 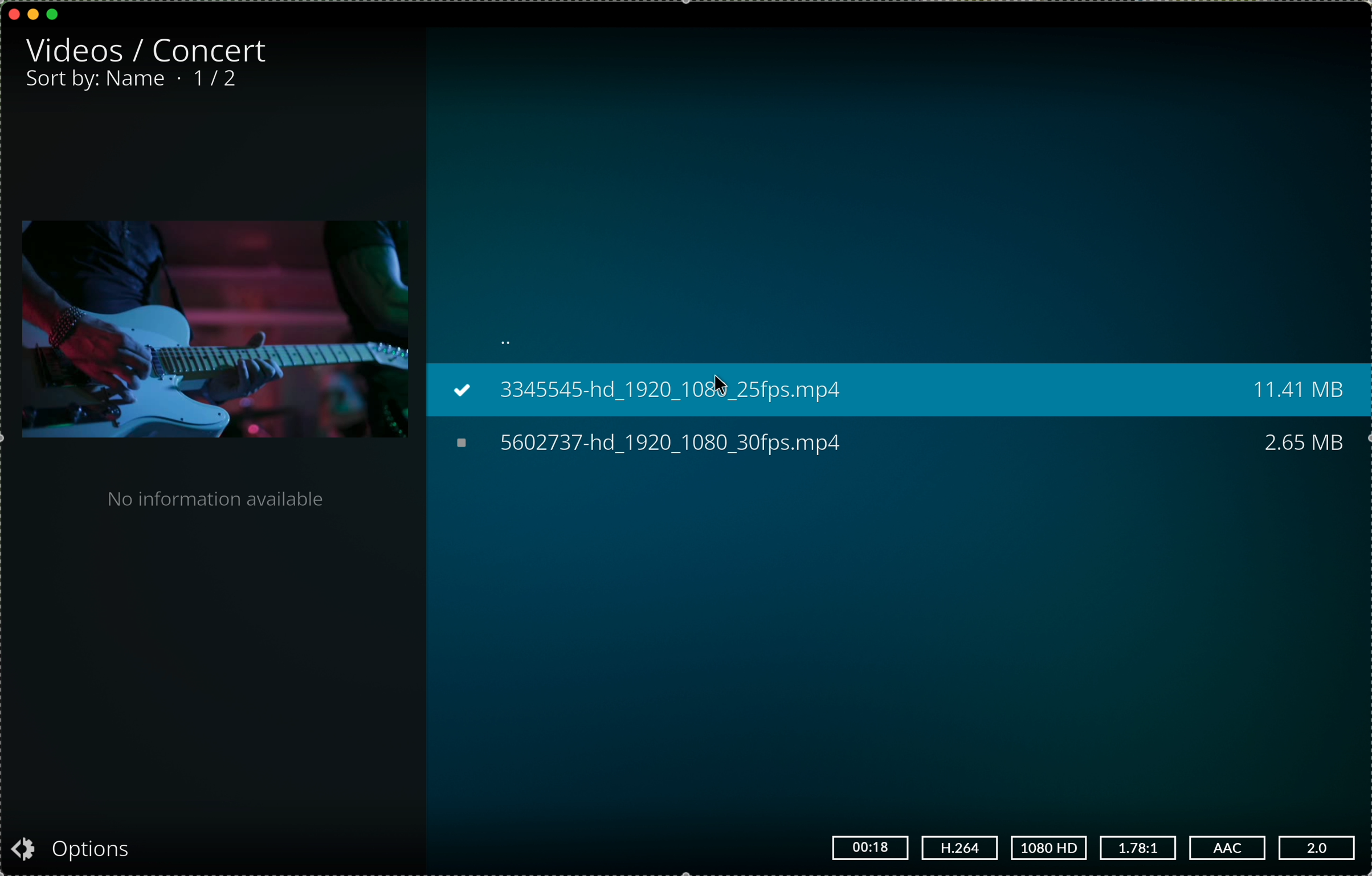 What do you see at coordinates (54, 14) in the screenshot?
I see `maximise` at bounding box center [54, 14].